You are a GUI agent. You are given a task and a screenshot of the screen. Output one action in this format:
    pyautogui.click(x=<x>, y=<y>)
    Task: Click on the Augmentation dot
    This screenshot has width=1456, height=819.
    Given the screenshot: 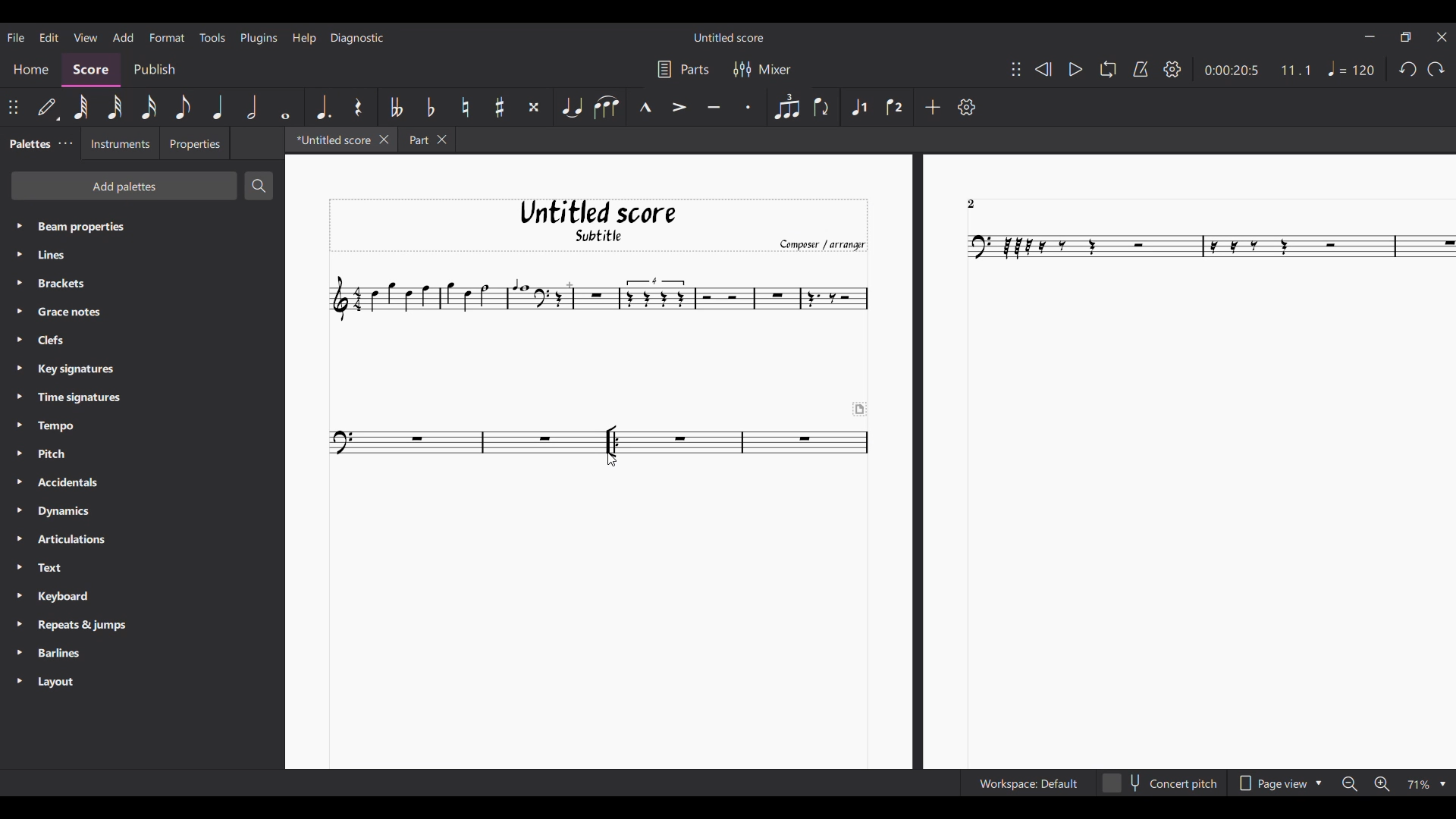 What is the action you would take?
    pyautogui.click(x=323, y=107)
    